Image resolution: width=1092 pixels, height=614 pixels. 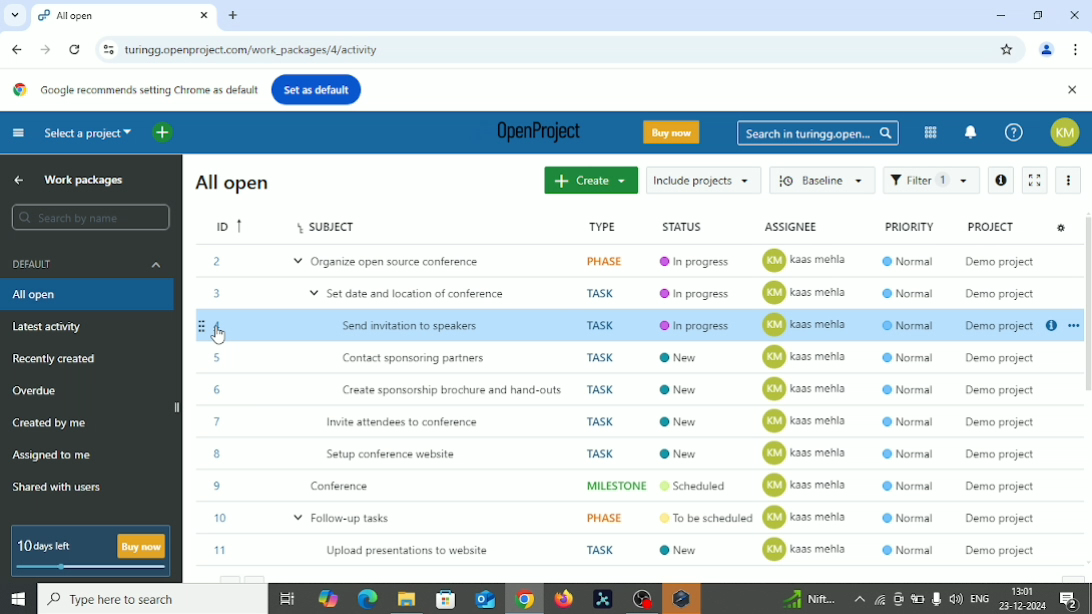 I want to click on To notification center, so click(x=971, y=130).